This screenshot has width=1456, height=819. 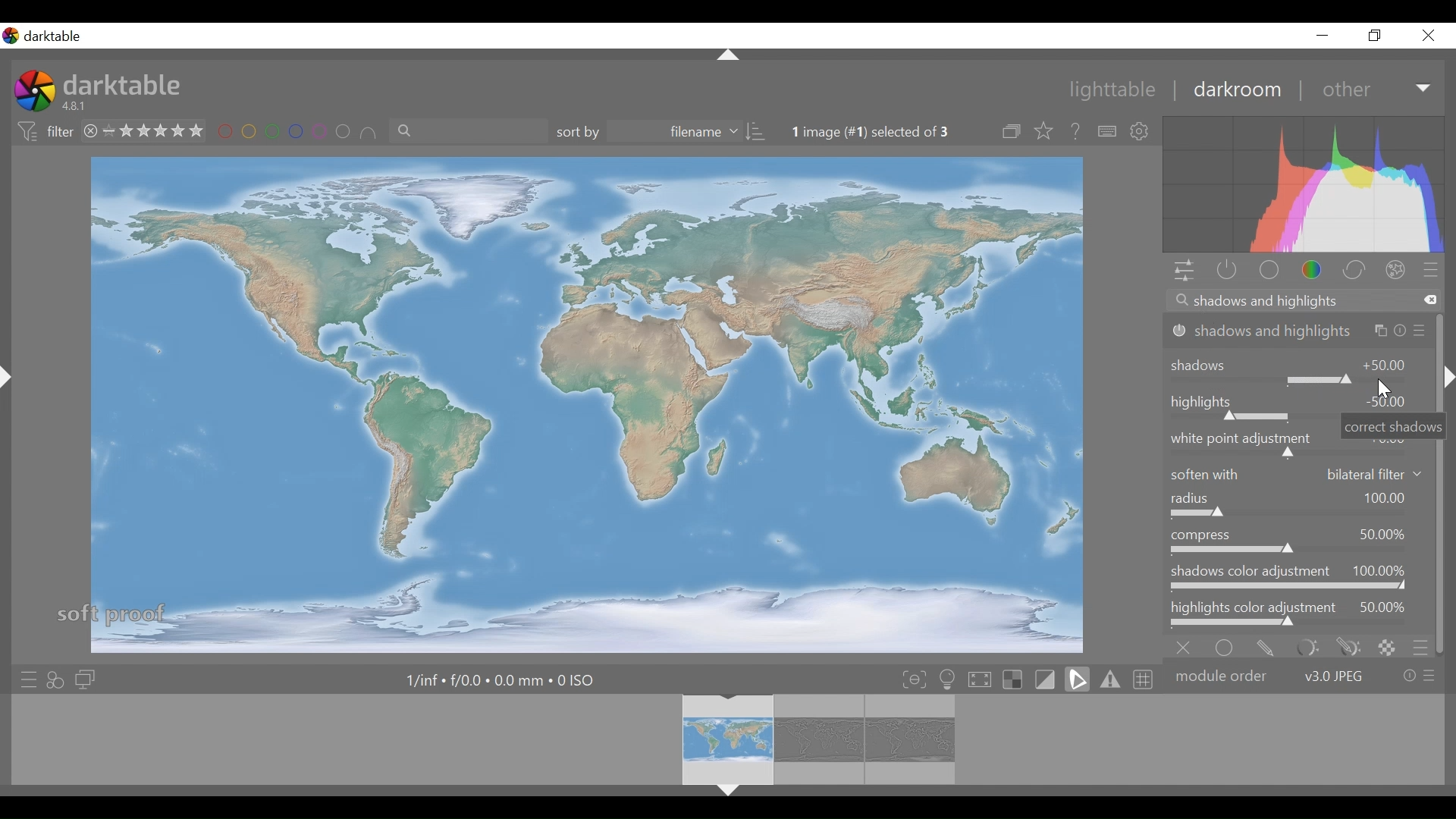 I want to click on quick access for applying any of styles, so click(x=58, y=679).